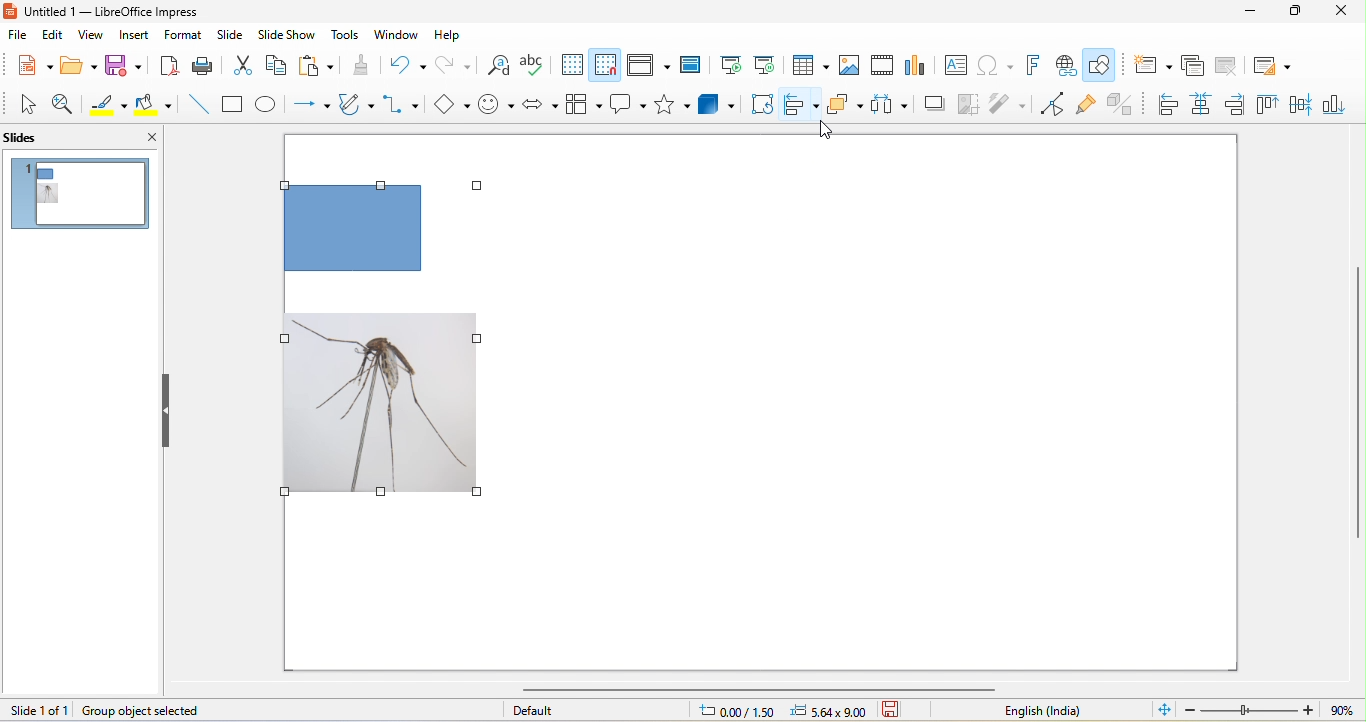 The image size is (1366, 722). What do you see at coordinates (139, 137) in the screenshot?
I see `close` at bounding box center [139, 137].